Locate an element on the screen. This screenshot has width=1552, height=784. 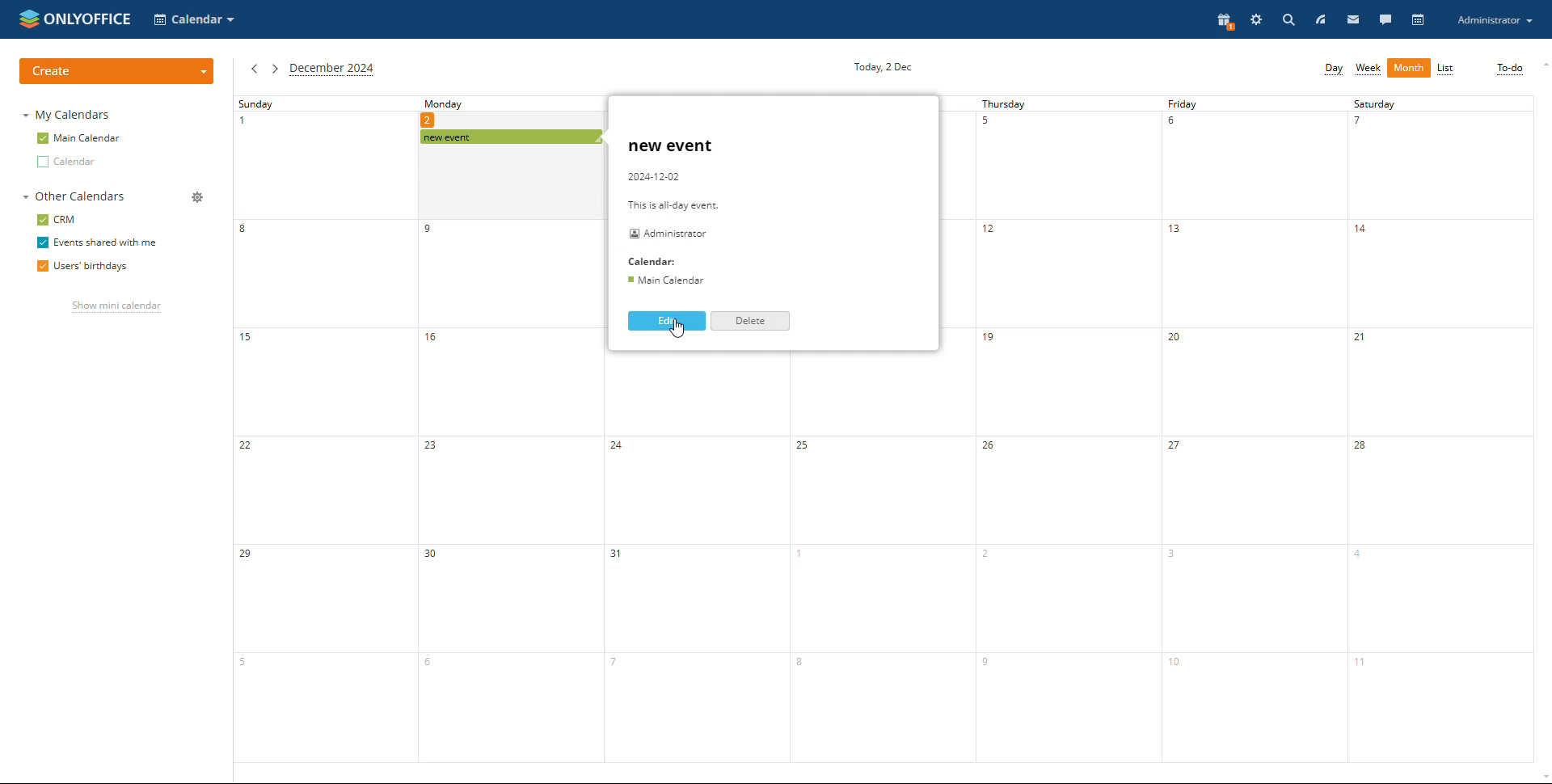
week view is located at coordinates (1369, 69).